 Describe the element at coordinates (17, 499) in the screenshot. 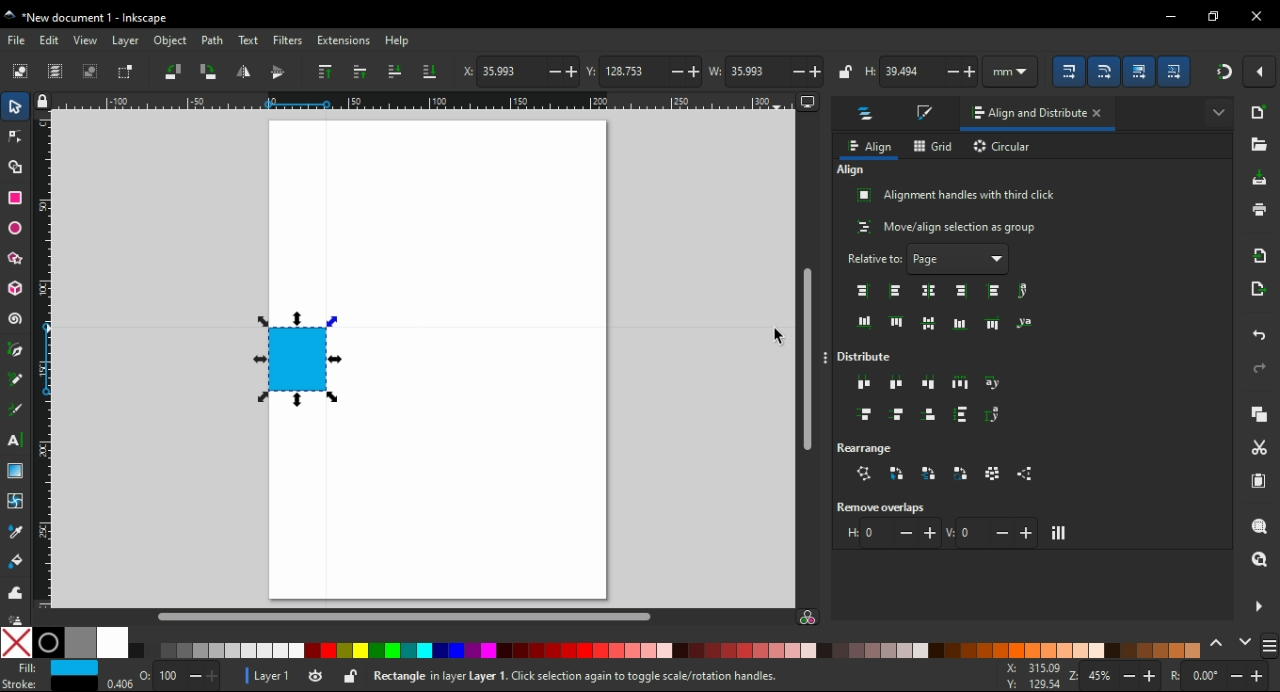

I see `mesh tool` at that location.